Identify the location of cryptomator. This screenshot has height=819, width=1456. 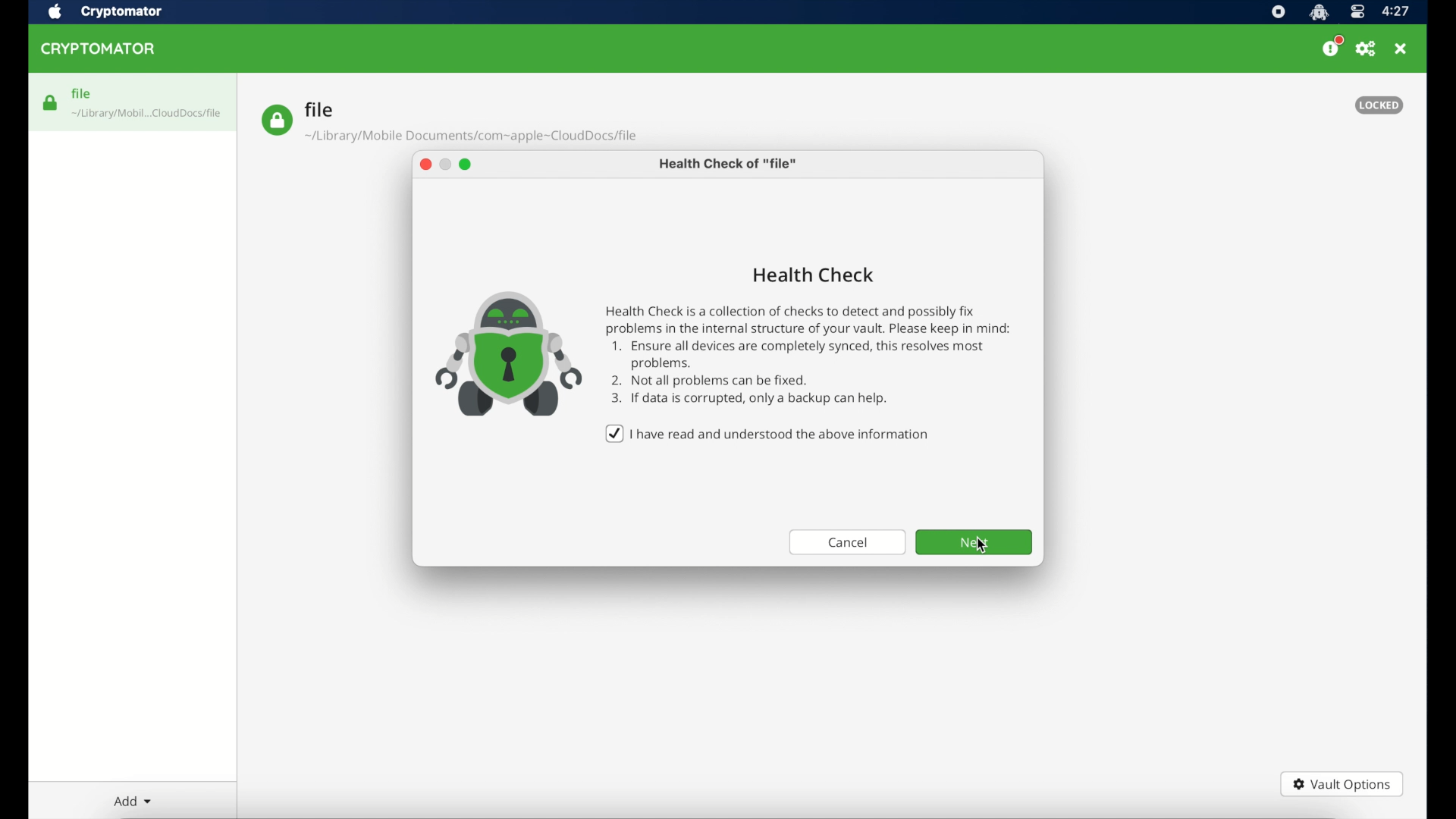
(101, 49).